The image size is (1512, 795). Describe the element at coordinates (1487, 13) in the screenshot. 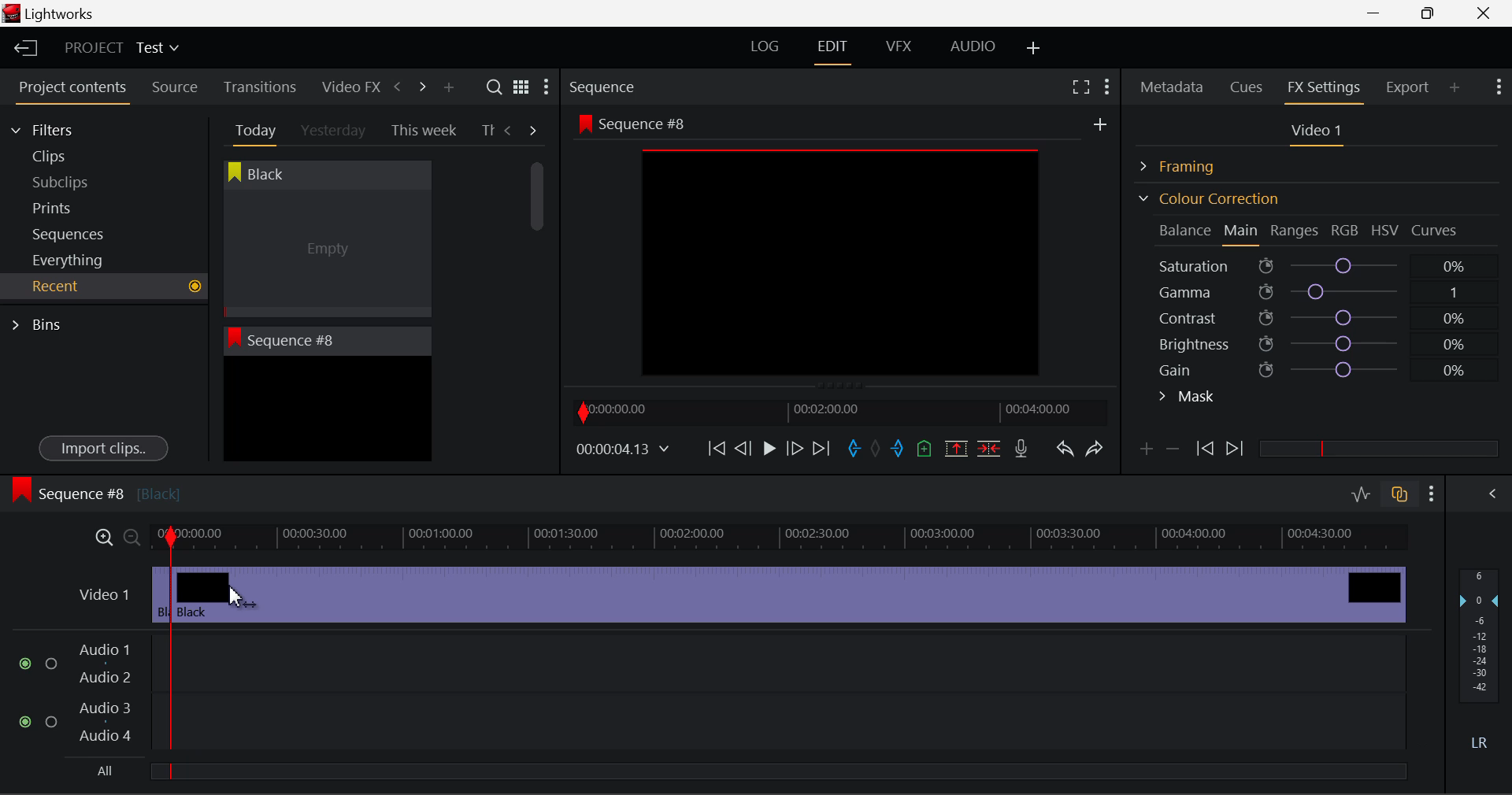

I see `Close` at that location.